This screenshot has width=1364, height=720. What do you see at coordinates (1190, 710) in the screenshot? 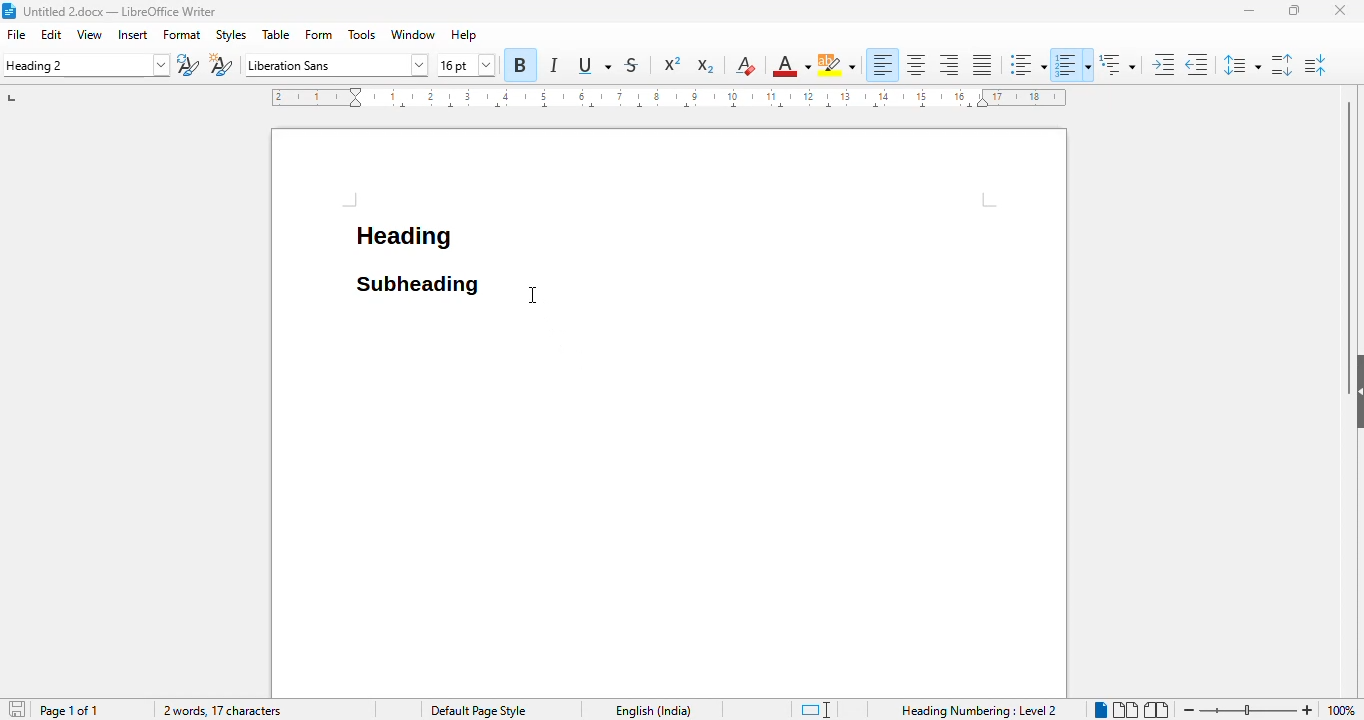
I see `zoom out` at bounding box center [1190, 710].